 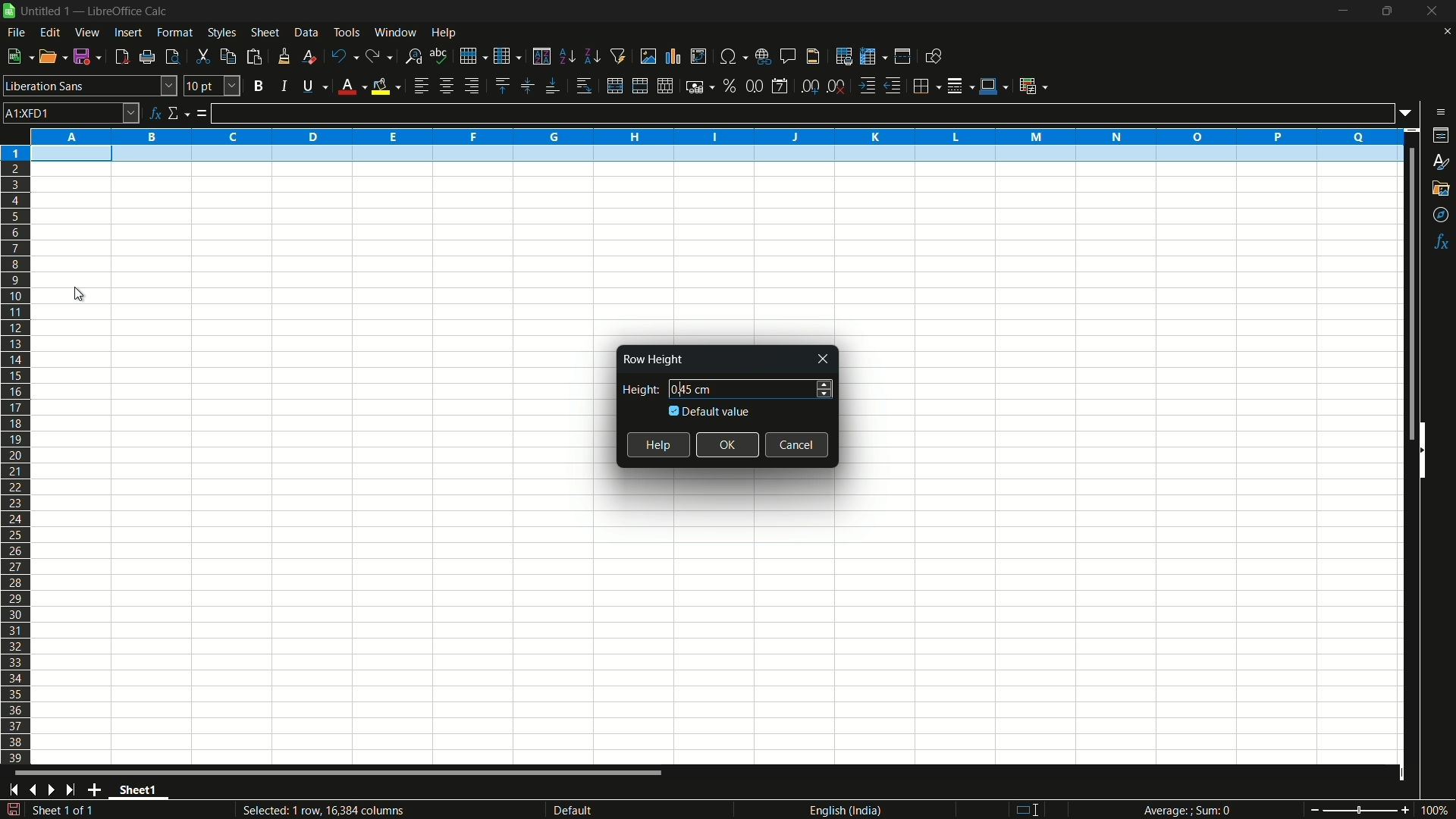 I want to click on save, so click(x=13, y=810).